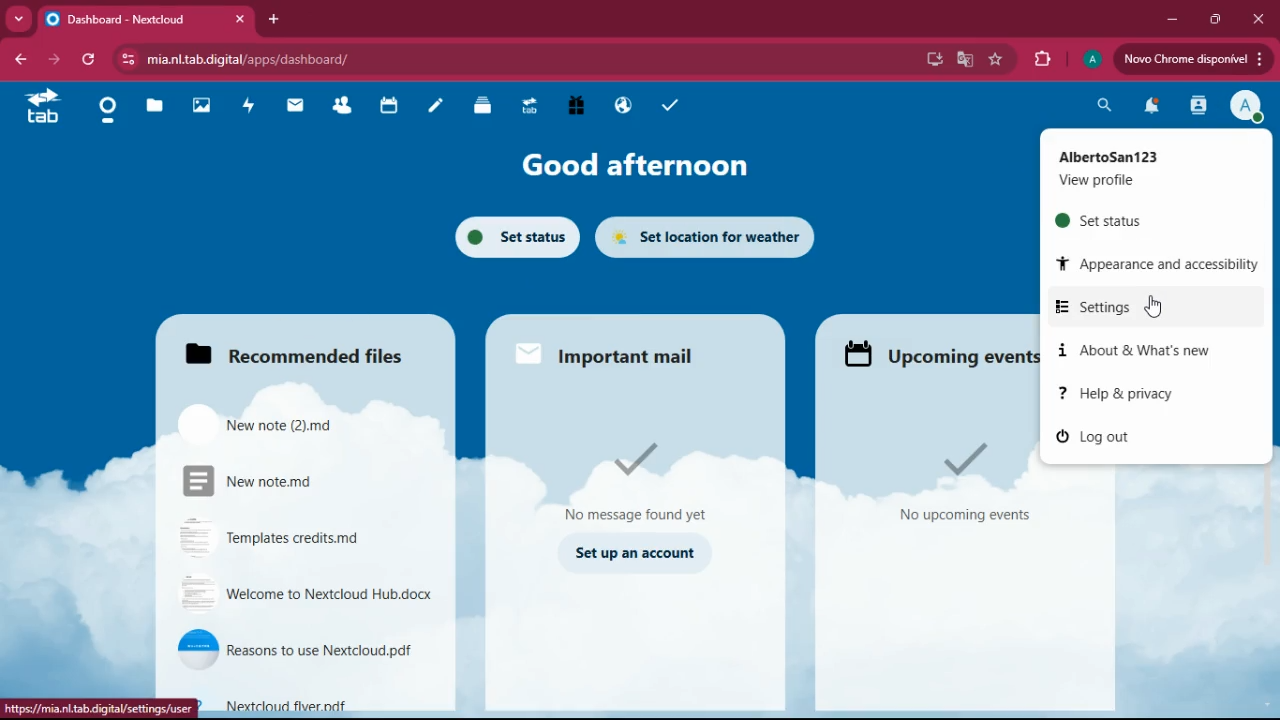  Describe the element at coordinates (90, 60) in the screenshot. I see `refresh` at that location.